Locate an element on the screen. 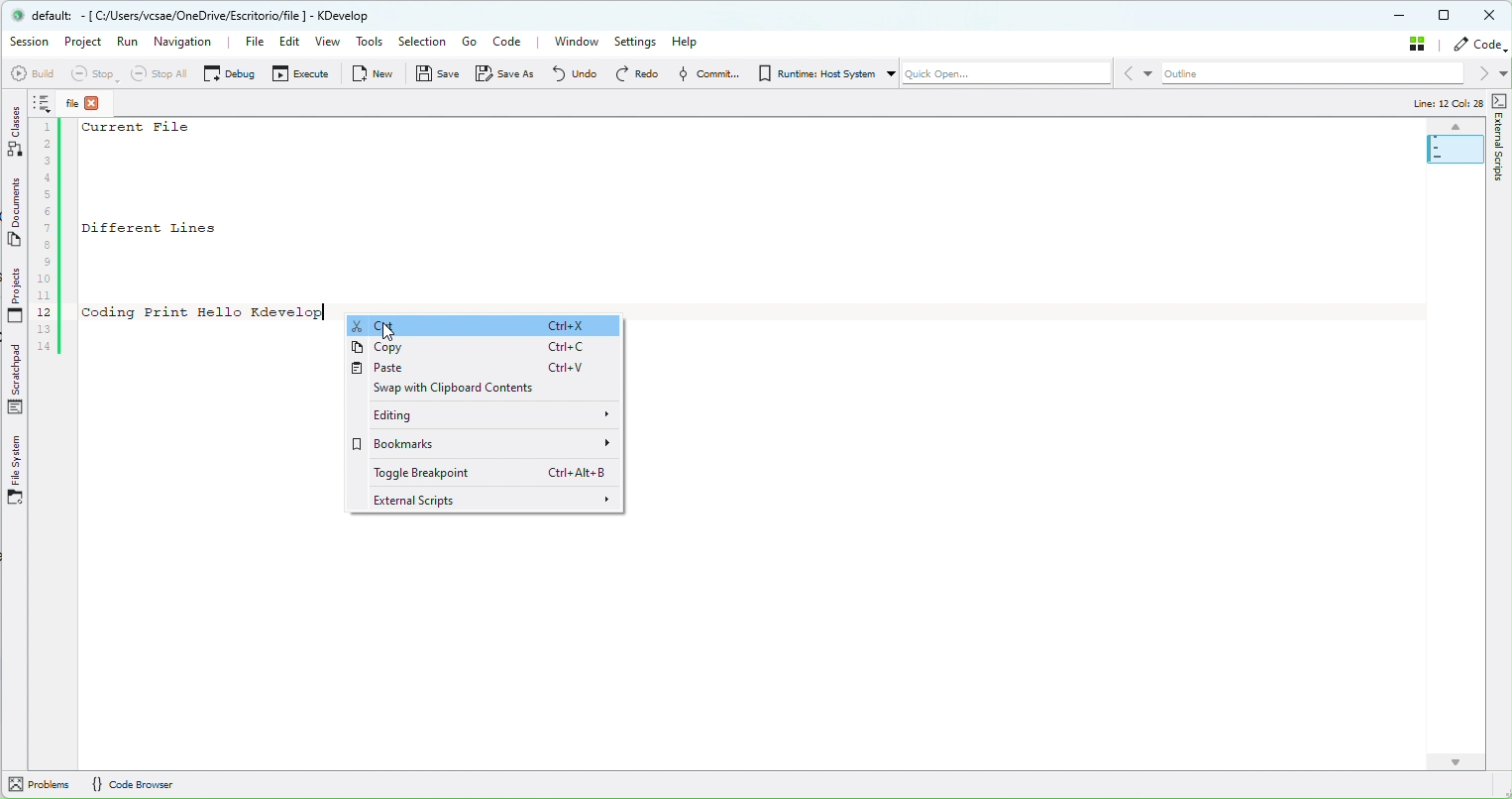 The width and height of the screenshot is (1512, 799). Settings is located at coordinates (636, 44).